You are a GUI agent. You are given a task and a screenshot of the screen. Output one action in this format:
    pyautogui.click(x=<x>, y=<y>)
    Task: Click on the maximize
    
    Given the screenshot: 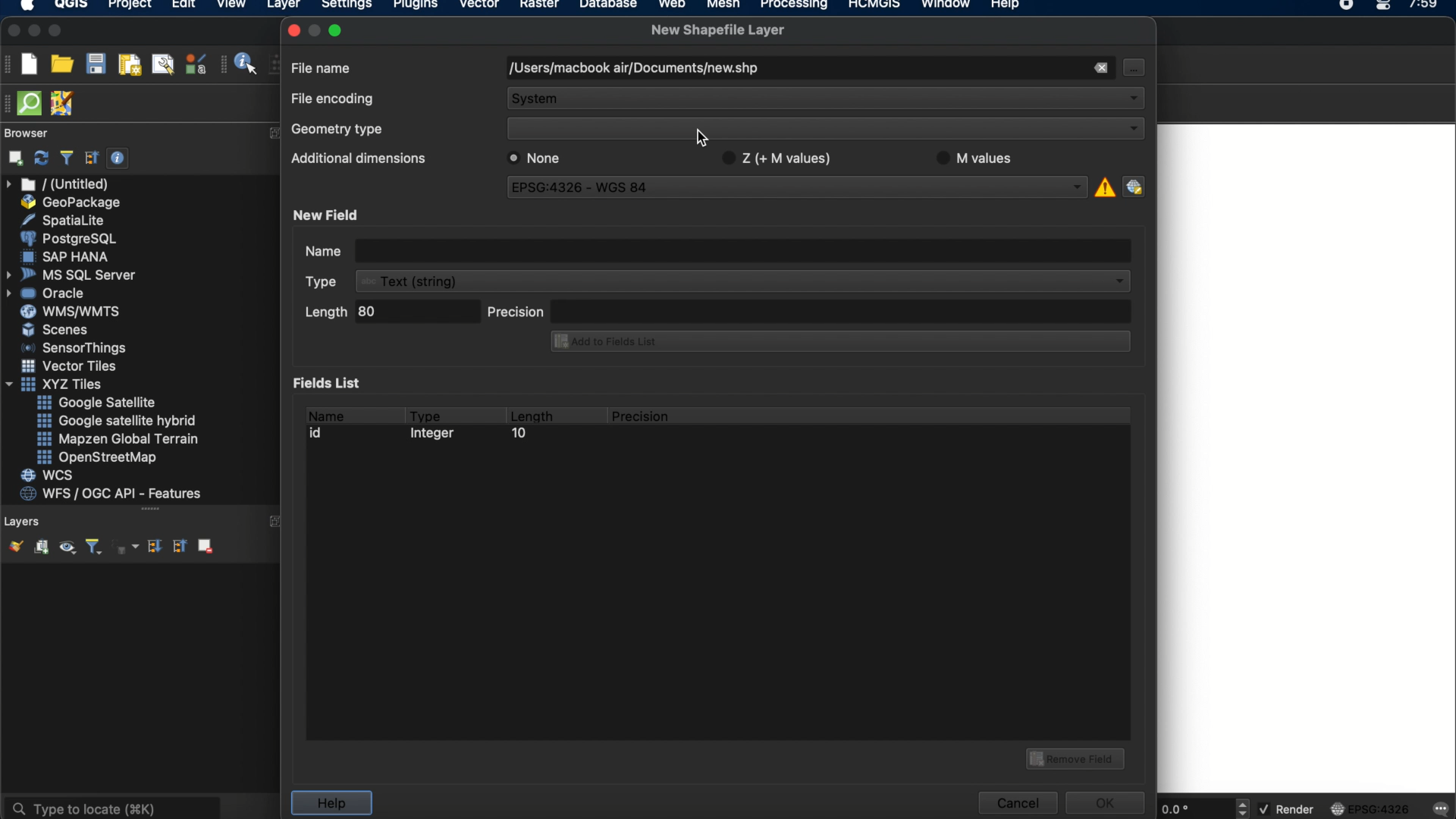 What is the action you would take?
    pyautogui.click(x=56, y=32)
    